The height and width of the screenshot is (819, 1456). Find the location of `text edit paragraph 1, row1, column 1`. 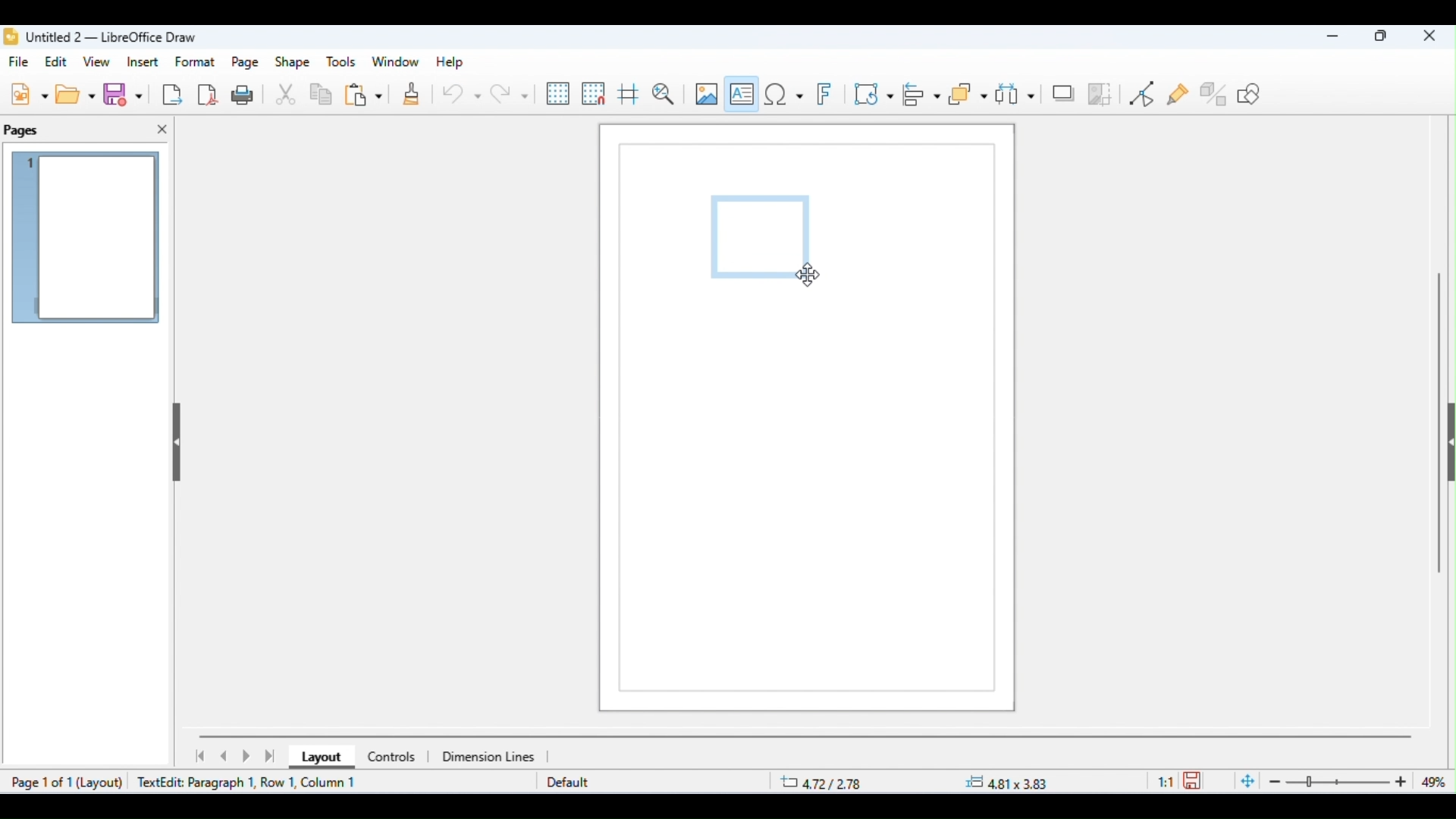

text edit paragraph 1, row1, column 1 is located at coordinates (252, 782).